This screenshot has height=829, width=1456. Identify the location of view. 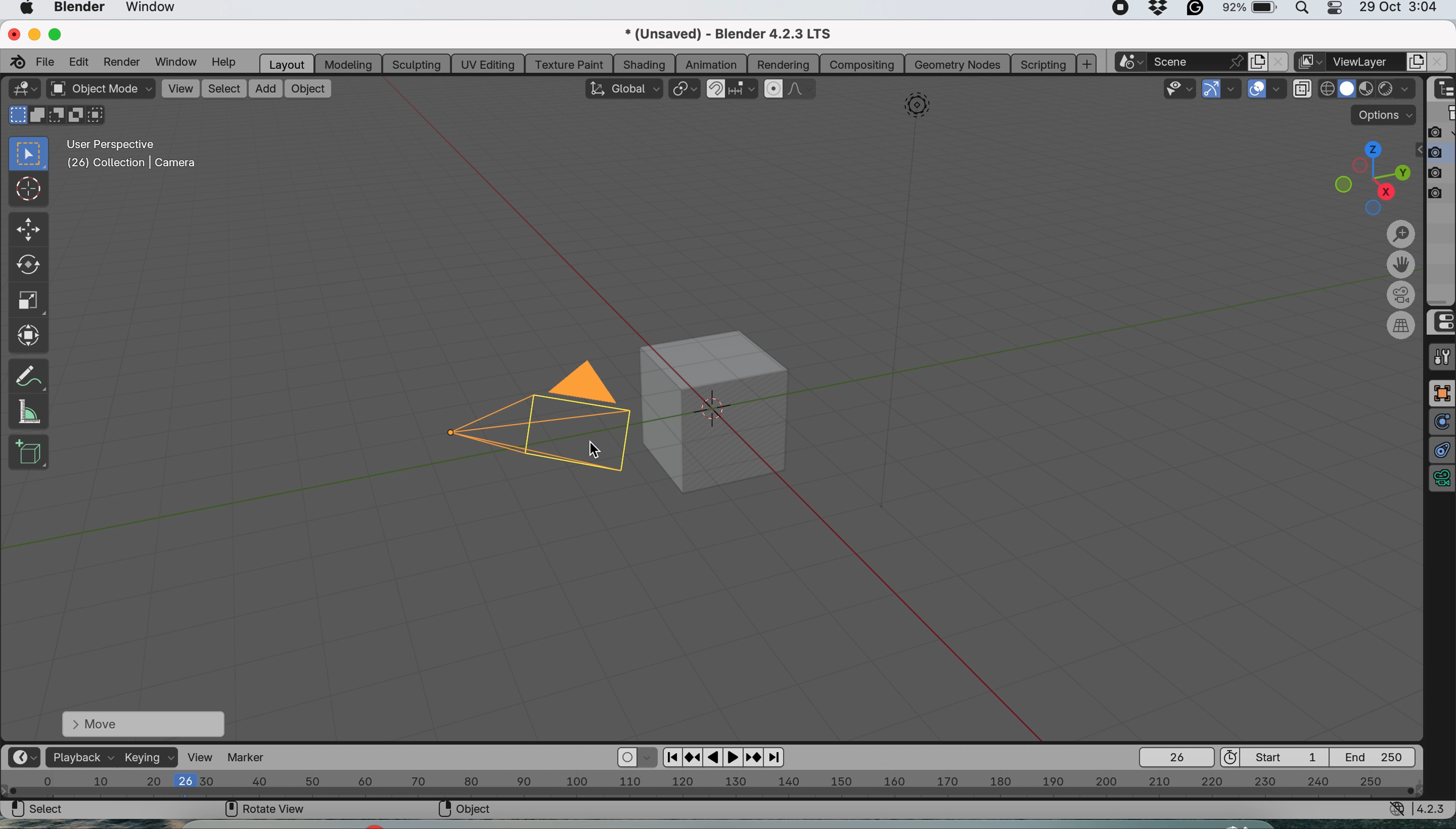
(180, 88).